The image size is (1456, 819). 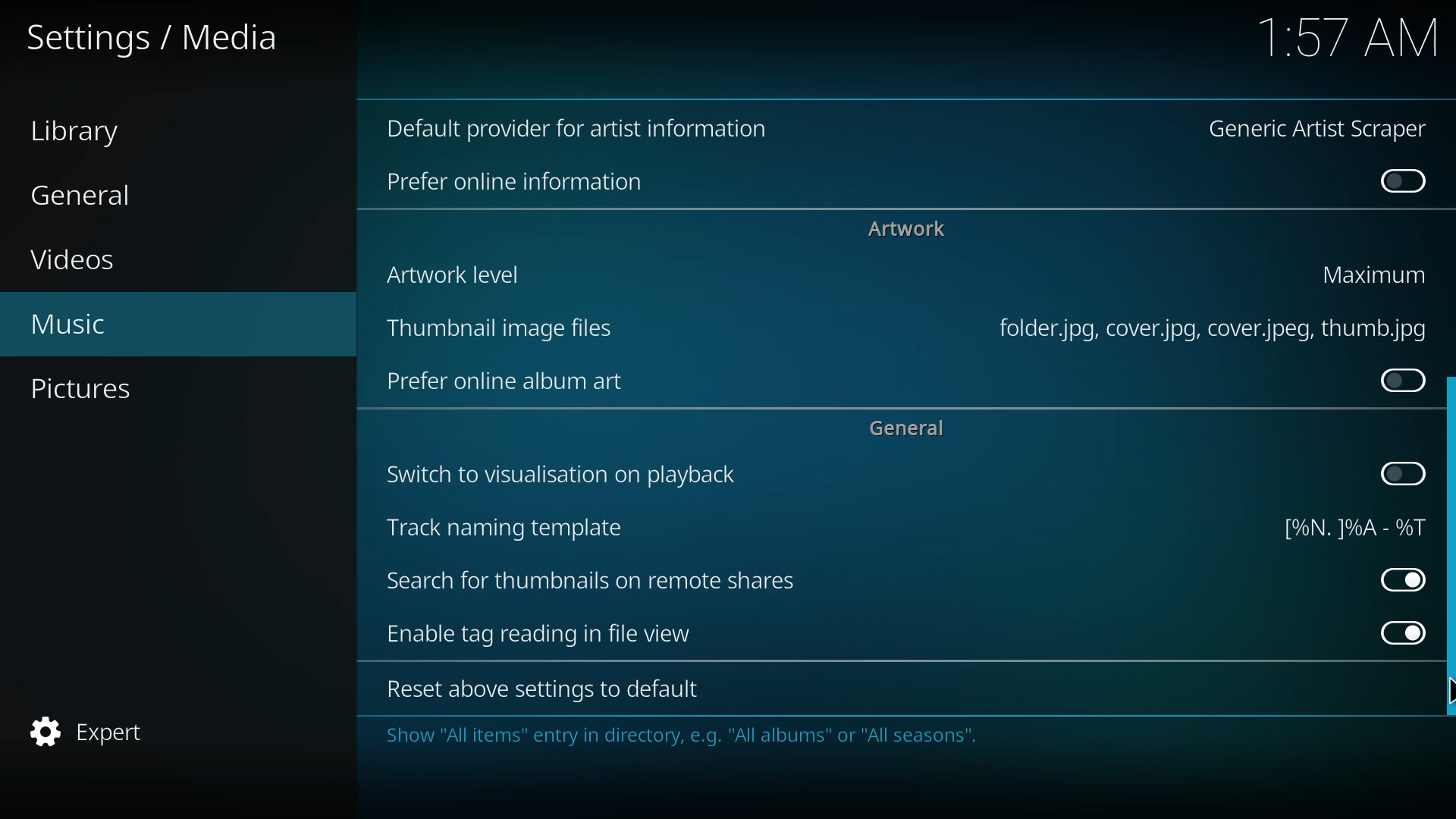 What do you see at coordinates (1206, 329) in the screenshot?
I see `file type` at bounding box center [1206, 329].